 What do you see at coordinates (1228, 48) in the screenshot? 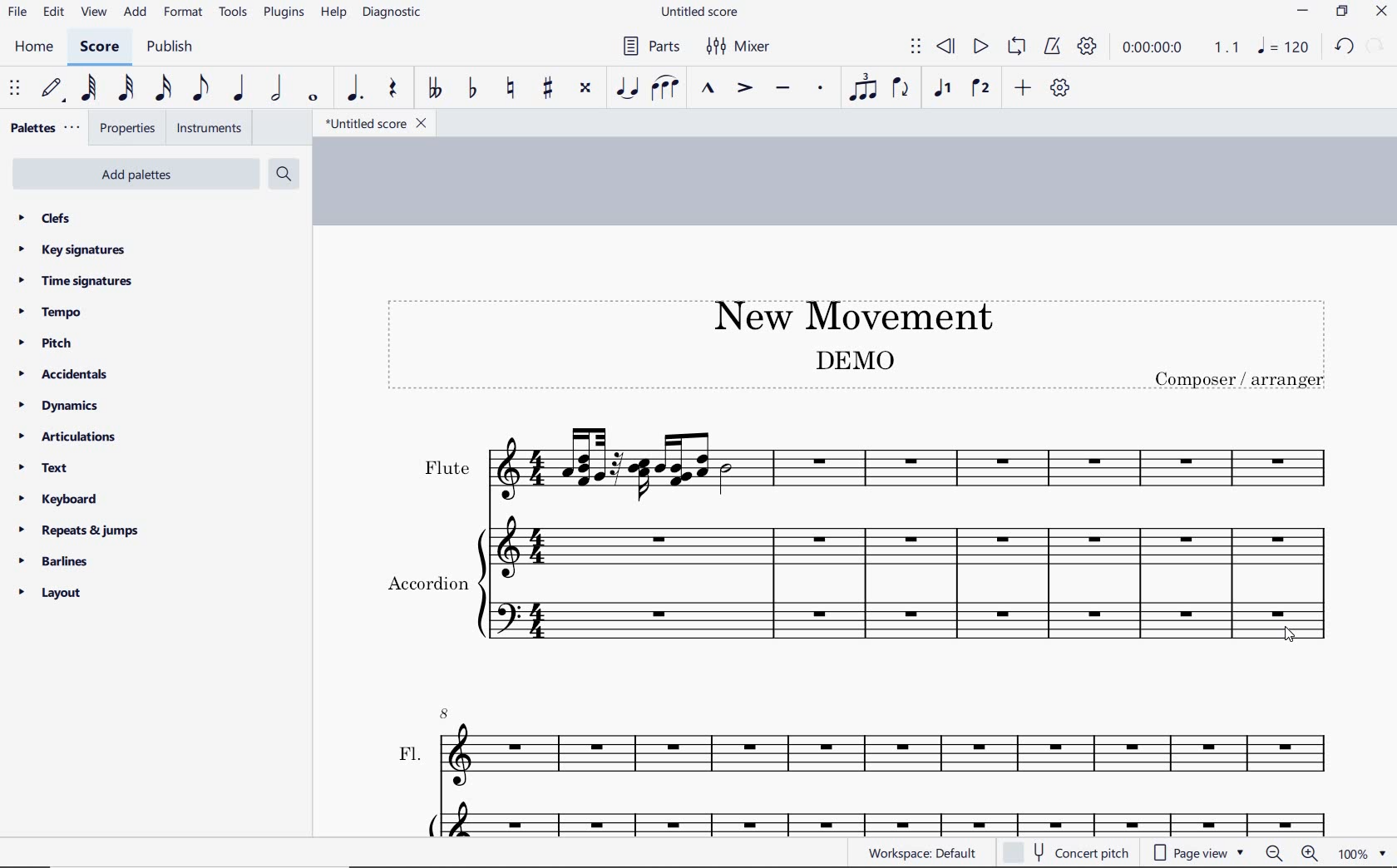
I see `Playback speed` at bounding box center [1228, 48].